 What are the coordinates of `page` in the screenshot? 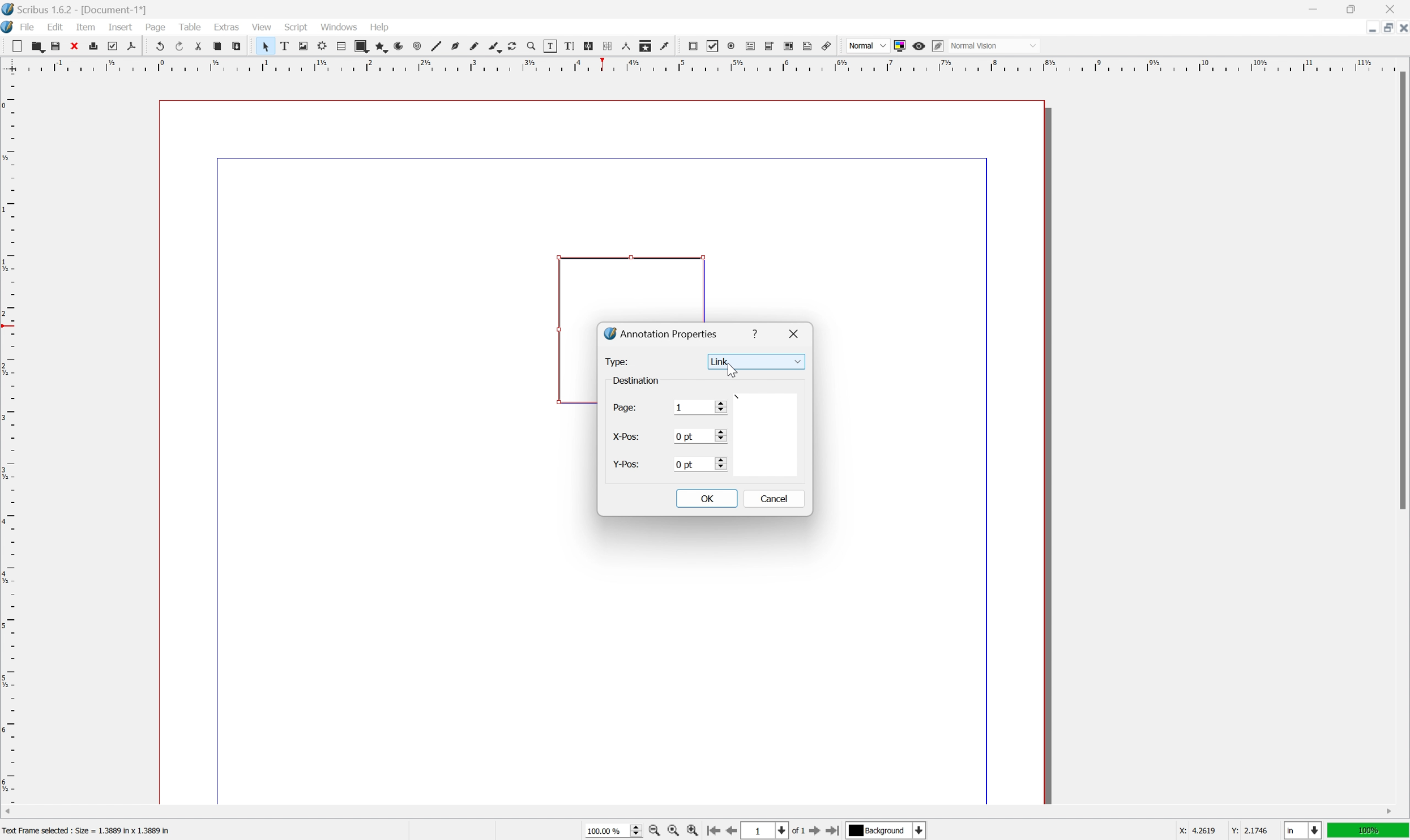 It's located at (155, 27).